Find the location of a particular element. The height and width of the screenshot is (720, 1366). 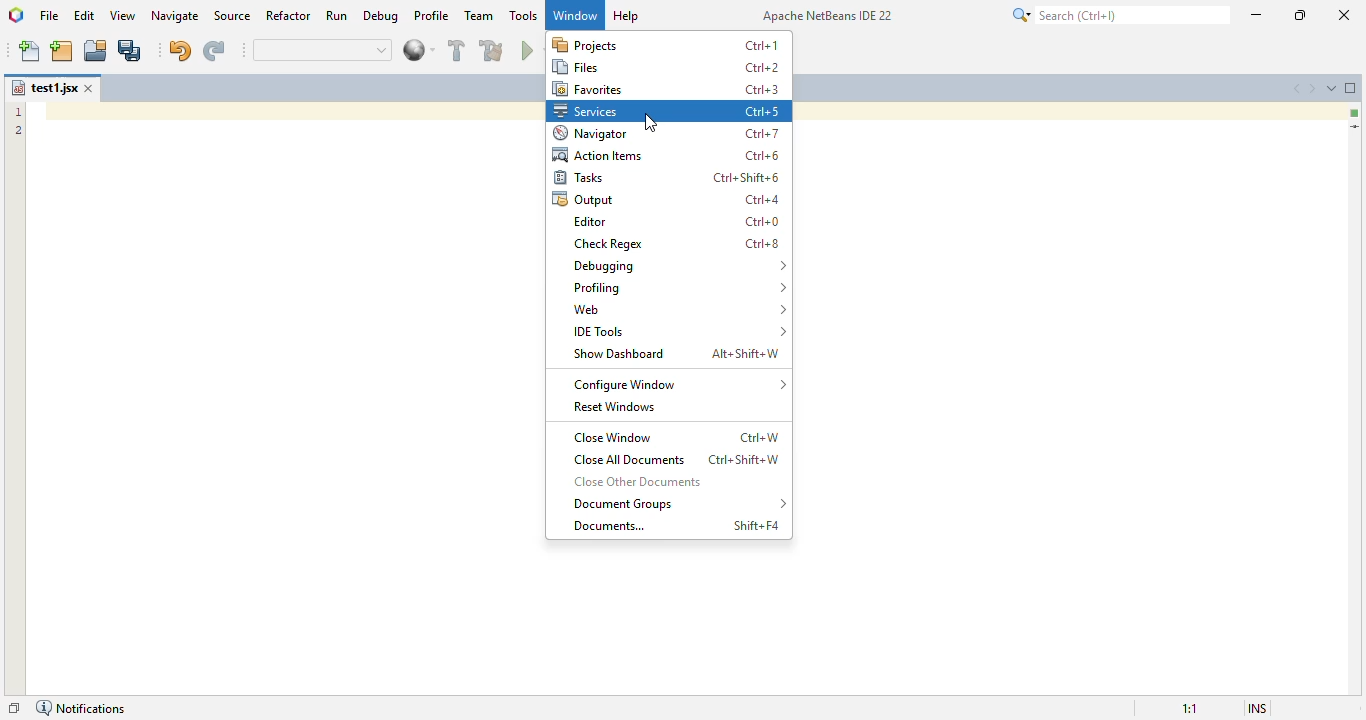

web is located at coordinates (679, 309).